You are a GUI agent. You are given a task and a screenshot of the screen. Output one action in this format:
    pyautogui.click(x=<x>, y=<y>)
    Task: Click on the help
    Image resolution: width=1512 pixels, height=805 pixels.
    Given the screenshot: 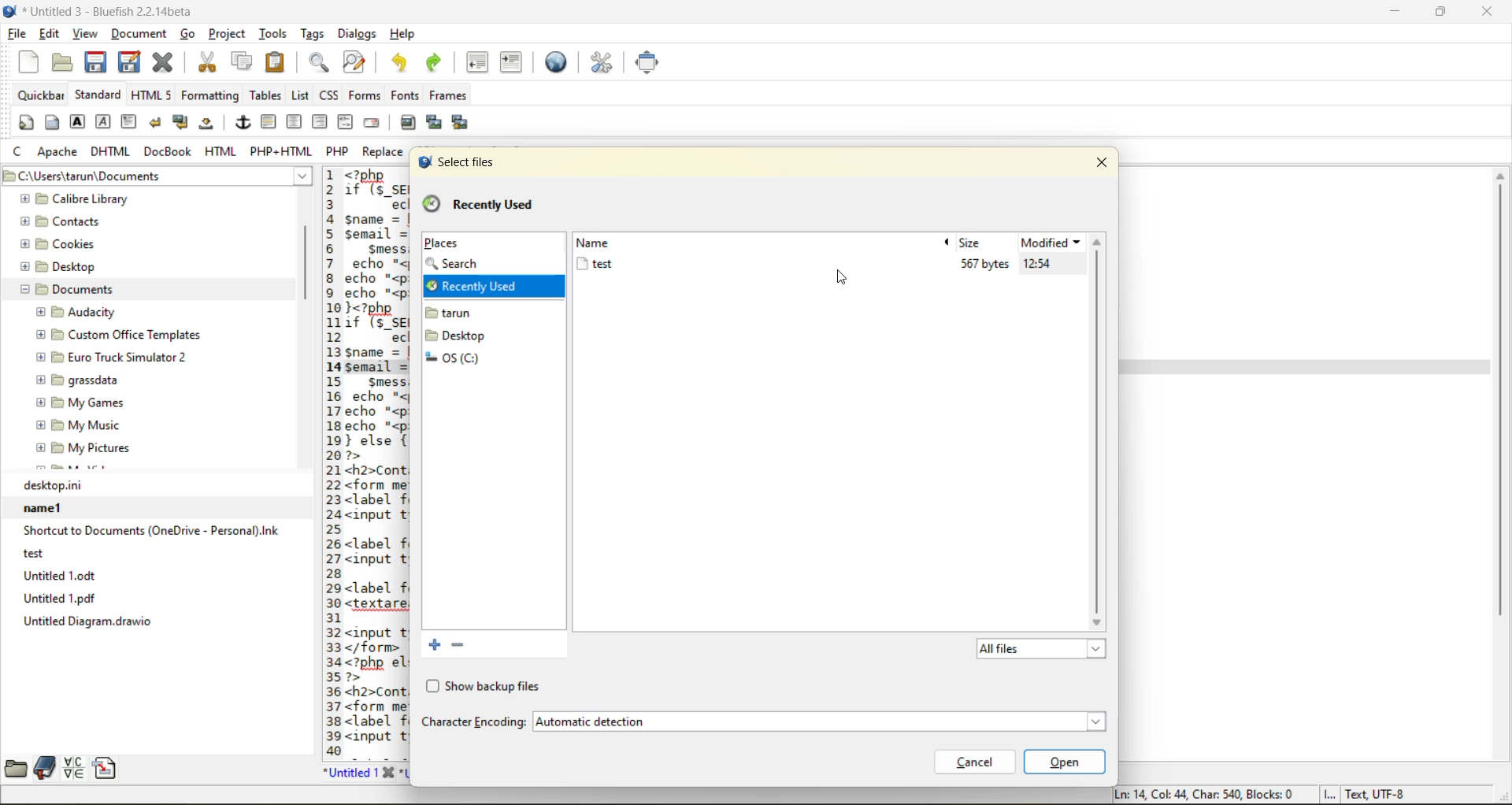 What is the action you would take?
    pyautogui.click(x=402, y=34)
    